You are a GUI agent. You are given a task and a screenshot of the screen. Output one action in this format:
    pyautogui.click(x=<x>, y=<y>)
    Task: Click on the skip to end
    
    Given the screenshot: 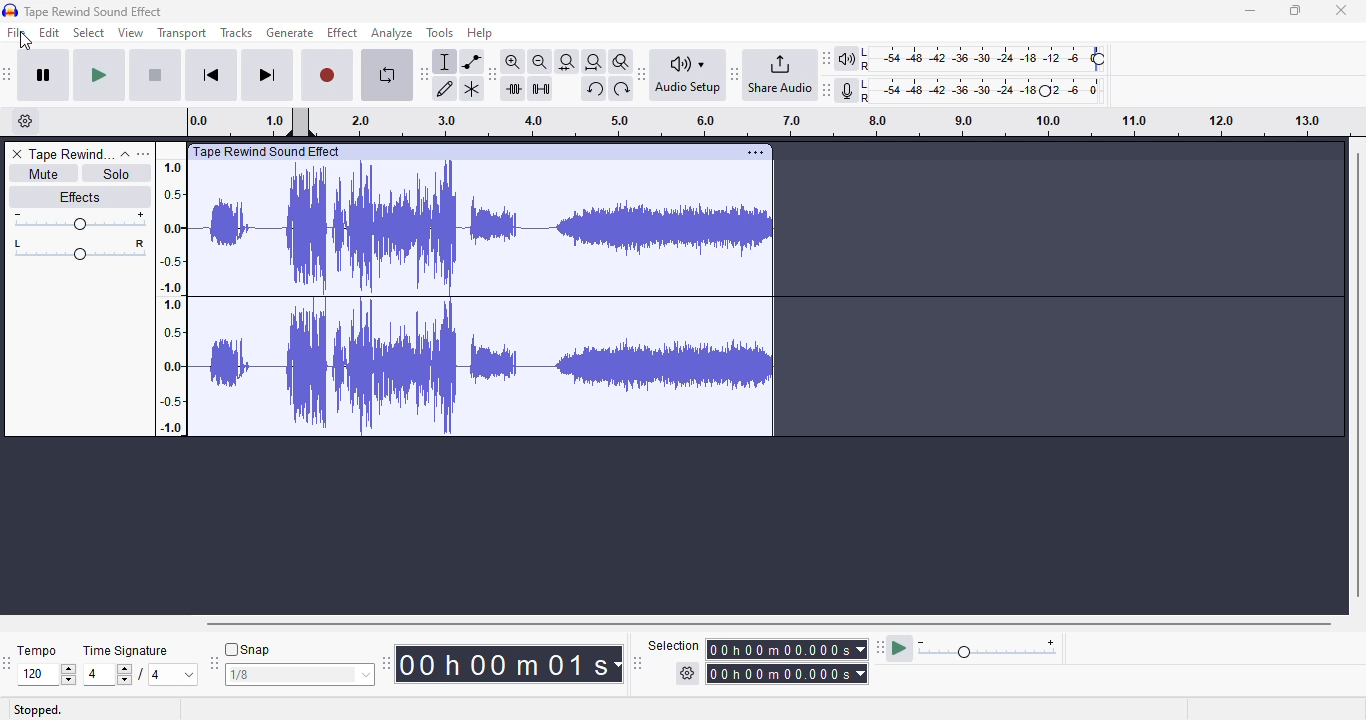 What is the action you would take?
    pyautogui.click(x=268, y=76)
    